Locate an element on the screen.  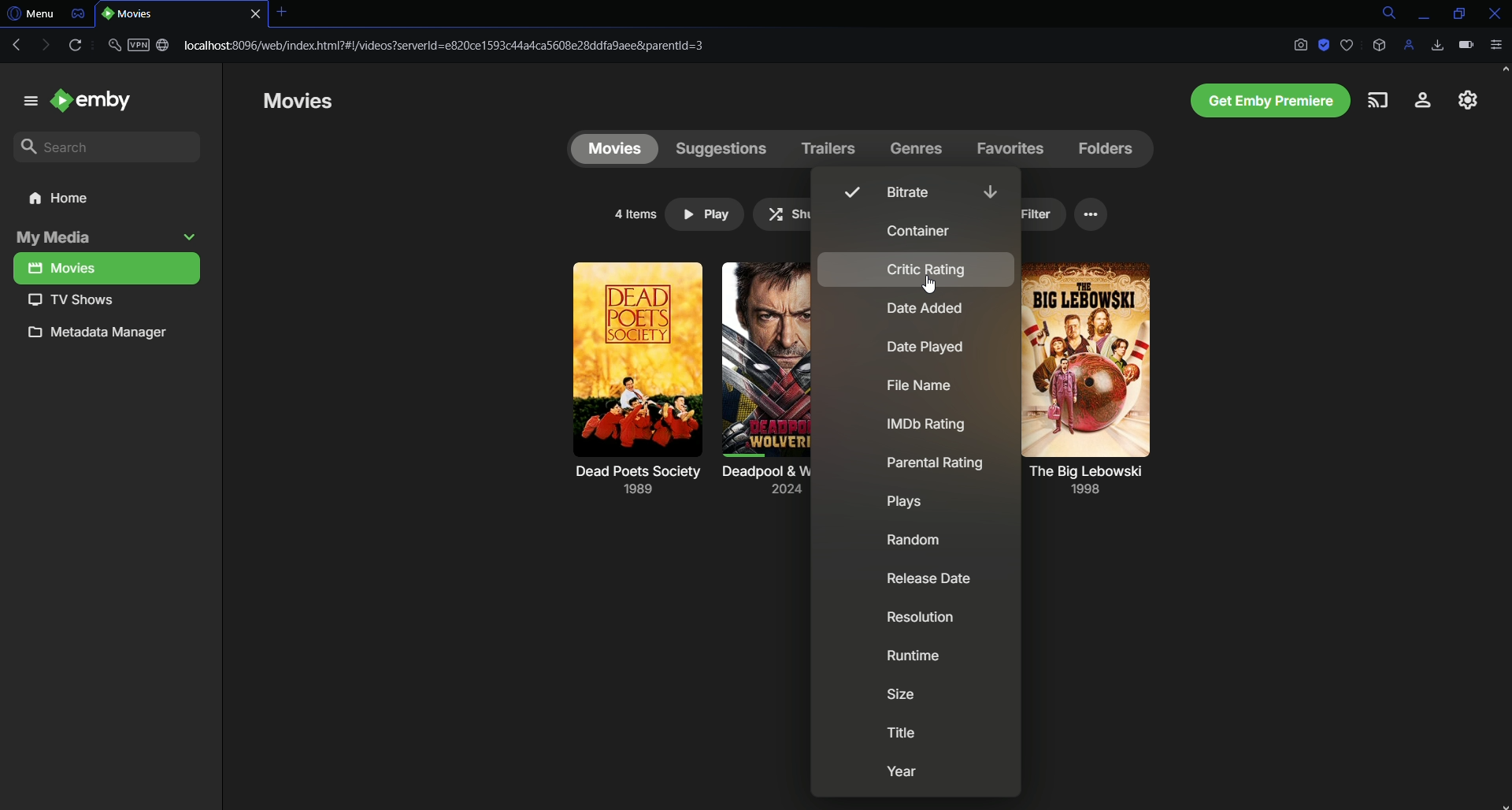
Random is located at coordinates (917, 540).